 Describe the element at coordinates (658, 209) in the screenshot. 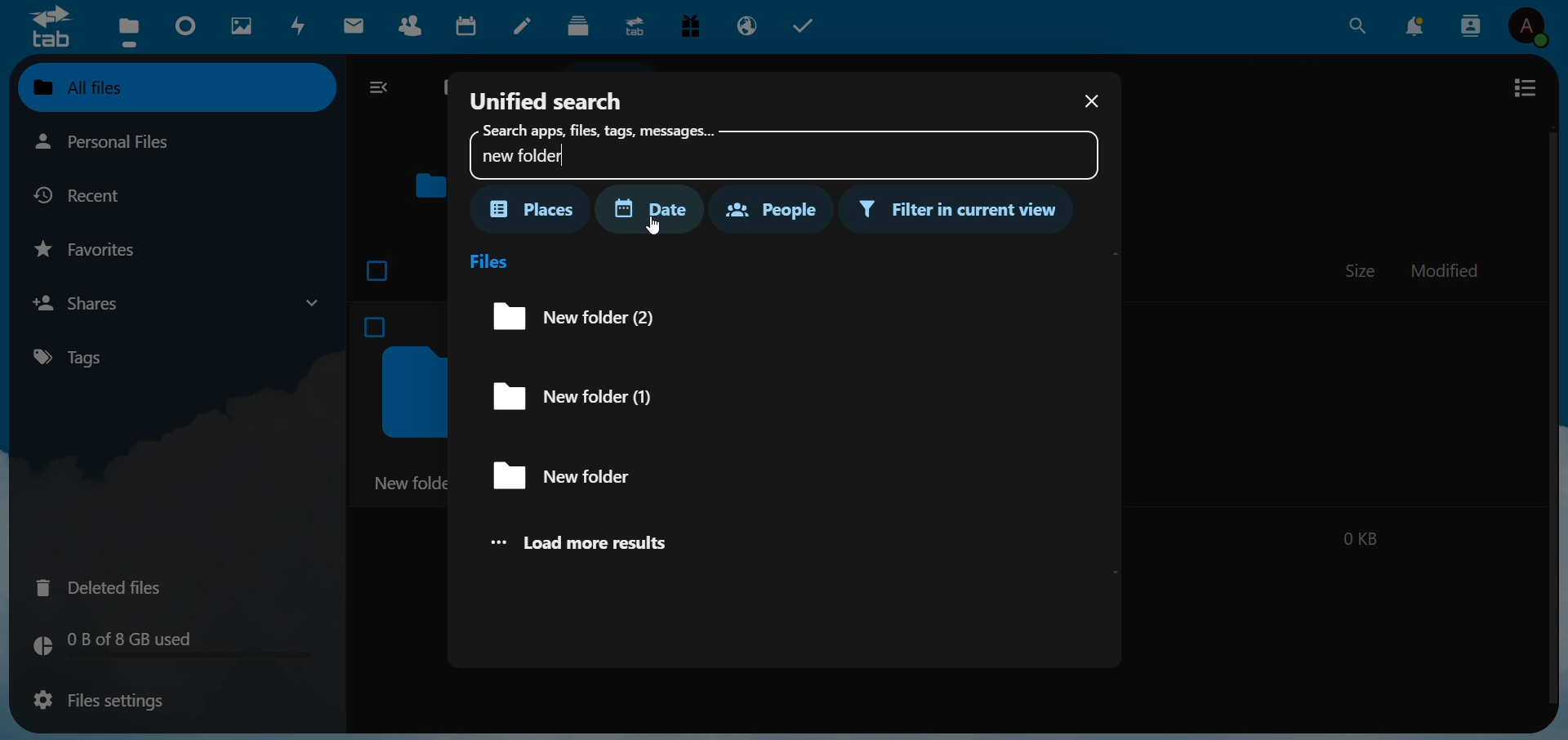

I see `date` at that location.